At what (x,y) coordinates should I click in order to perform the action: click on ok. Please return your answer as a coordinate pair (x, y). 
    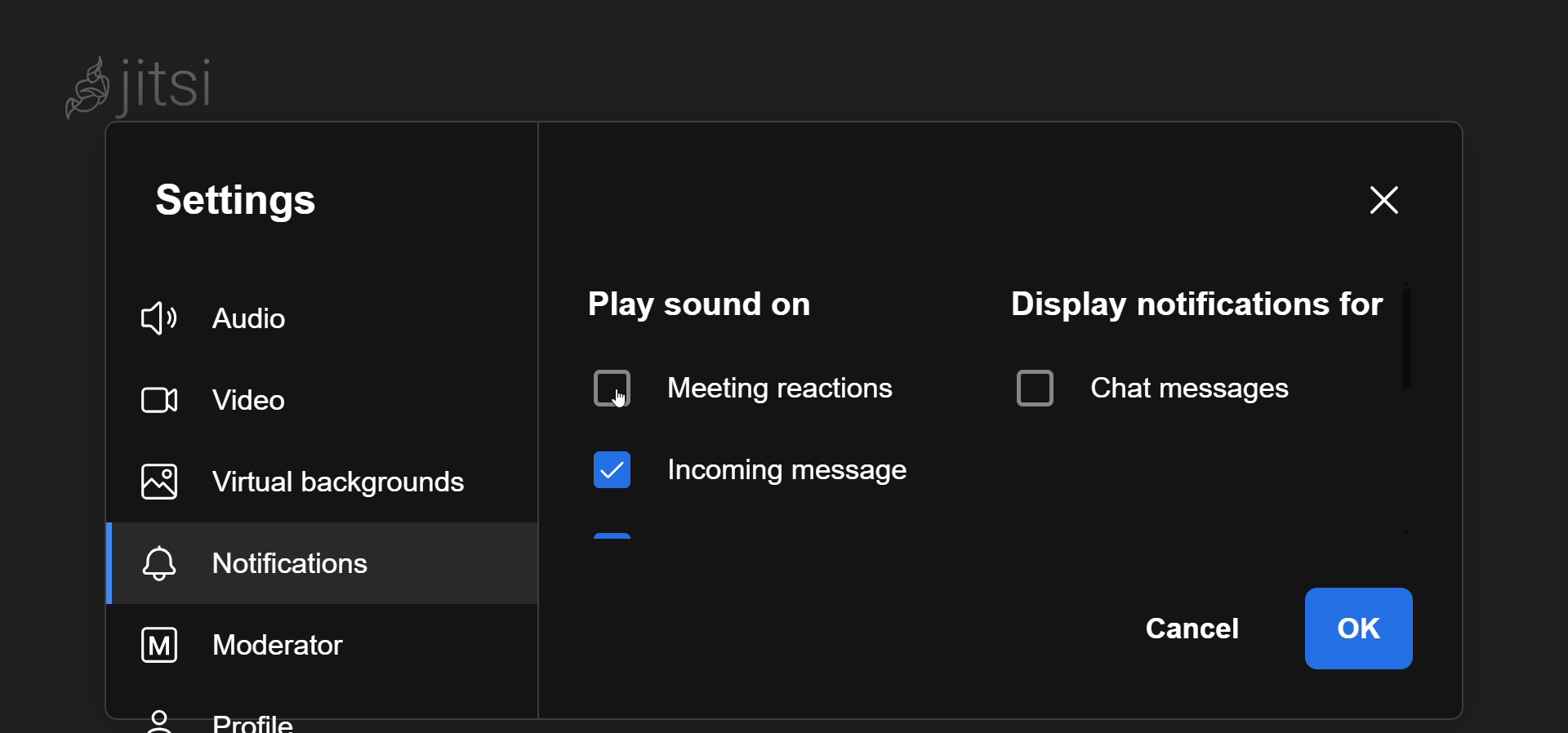
    Looking at the image, I should click on (1363, 629).